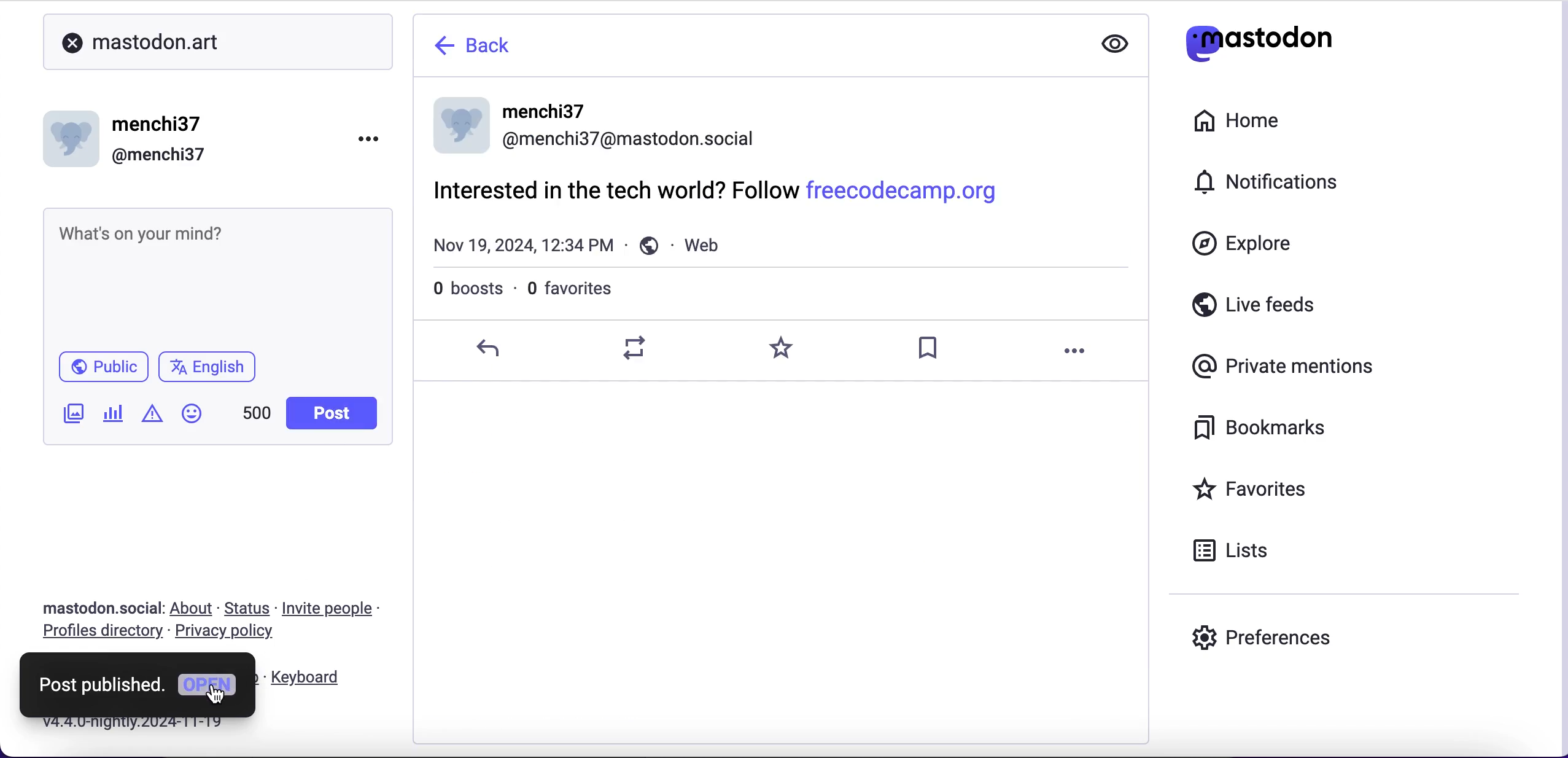  What do you see at coordinates (583, 291) in the screenshot?
I see `0 favorites` at bounding box center [583, 291].